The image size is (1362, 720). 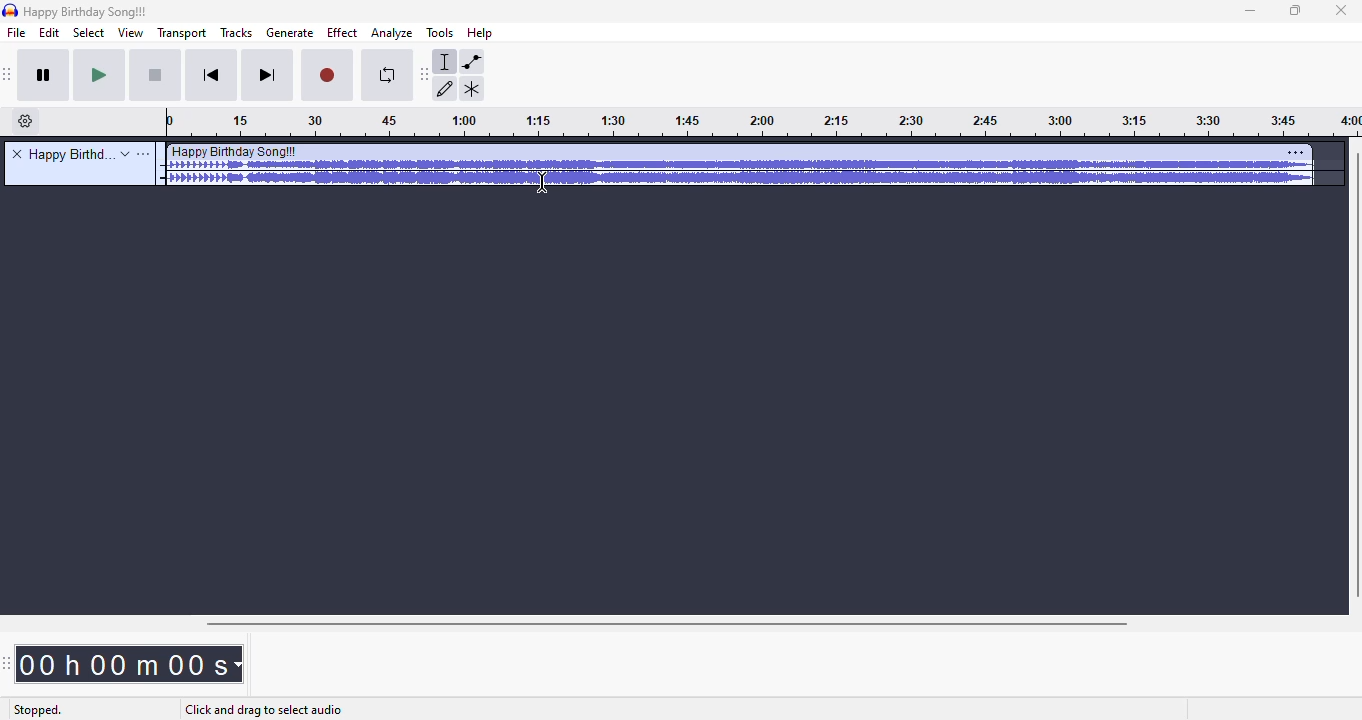 What do you see at coordinates (10, 10) in the screenshot?
I see `logo` at bounding box center [10, 10].